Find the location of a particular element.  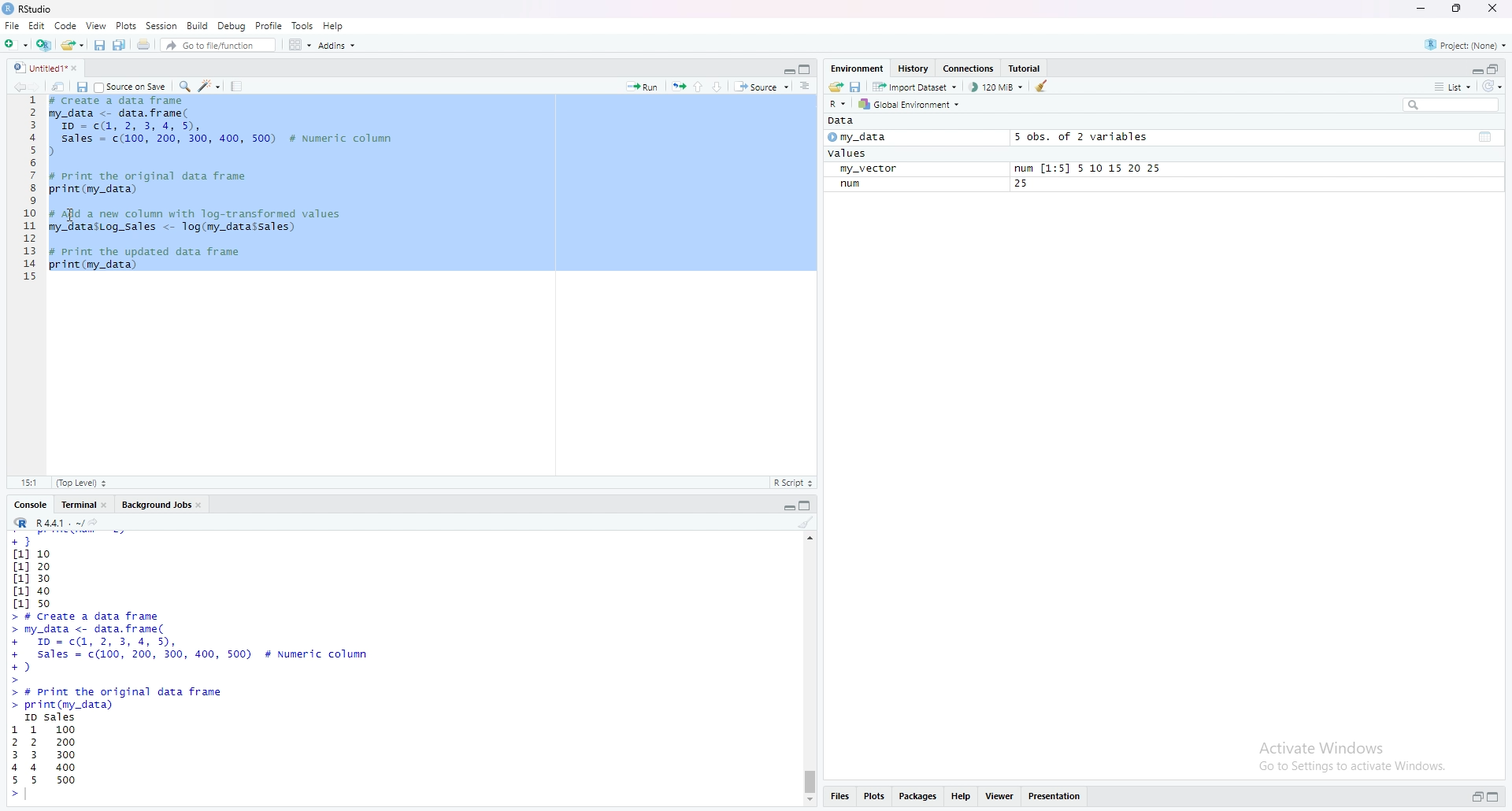

Go forward to the next location is located at coordinates (38, 88).